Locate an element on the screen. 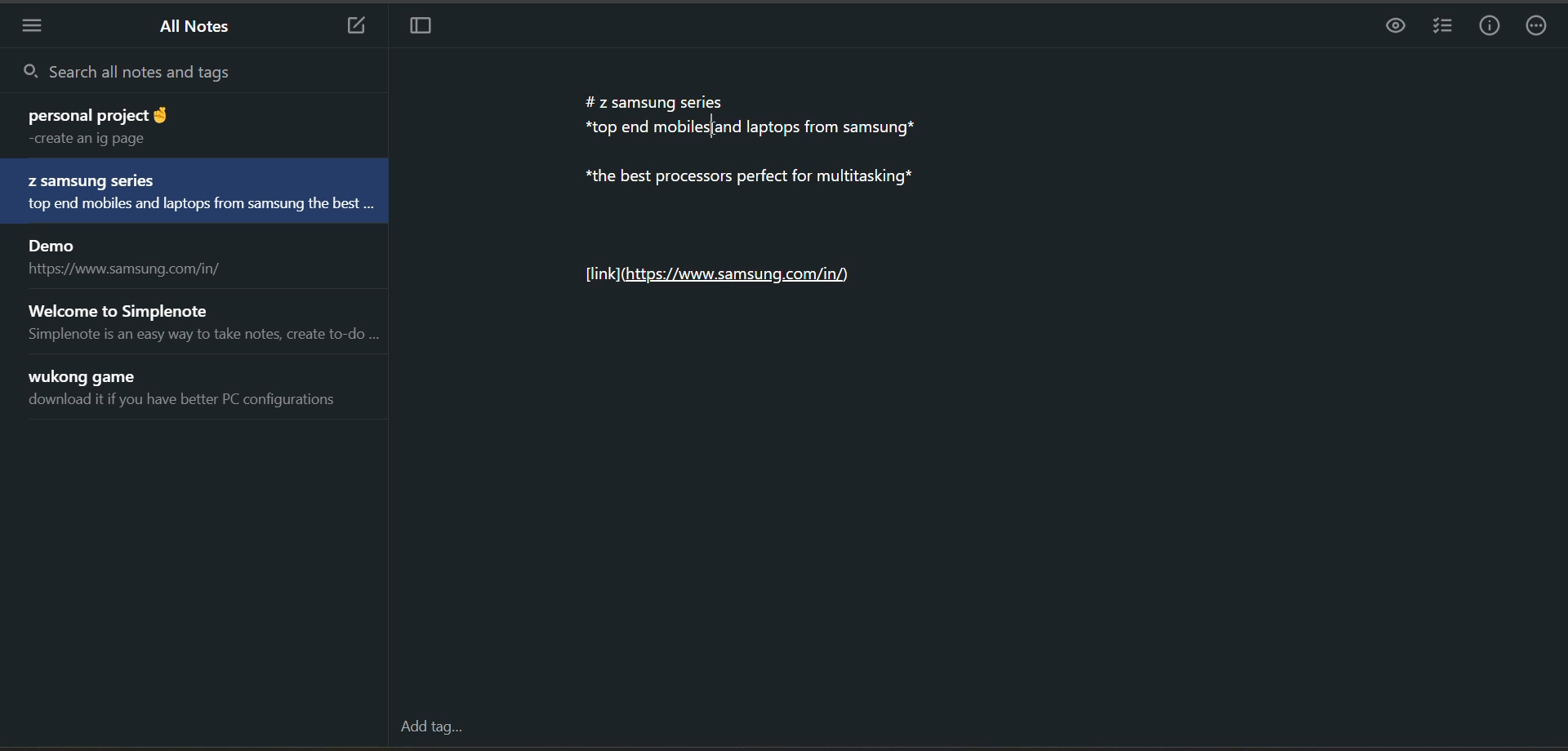  info is located at coordinates (1492, 28).